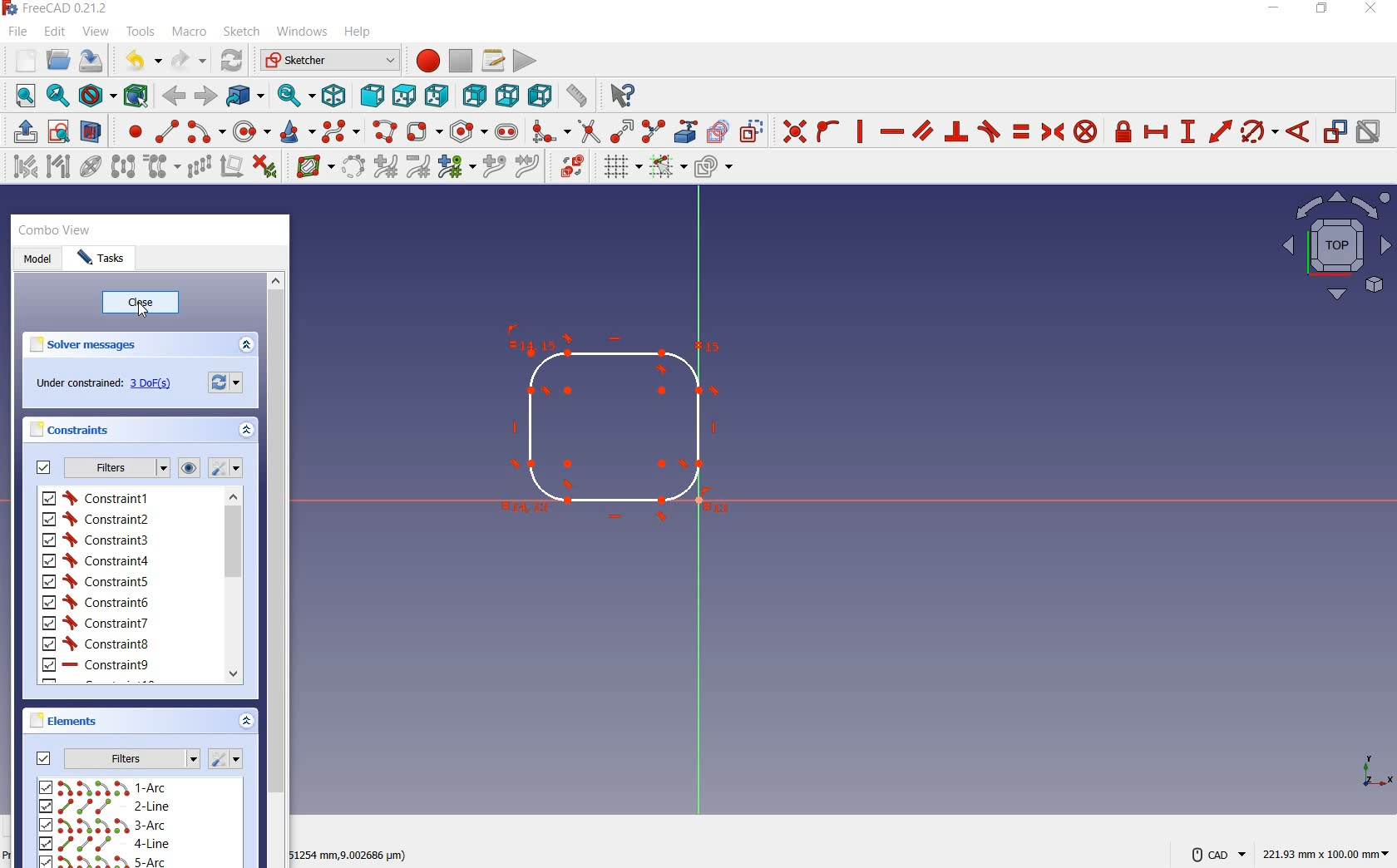 This screenshot has height=868, width=1397. What do you see at coordinates (654, 131) in the screenshot?
I see `split edge` at bounding box center [654, 131].